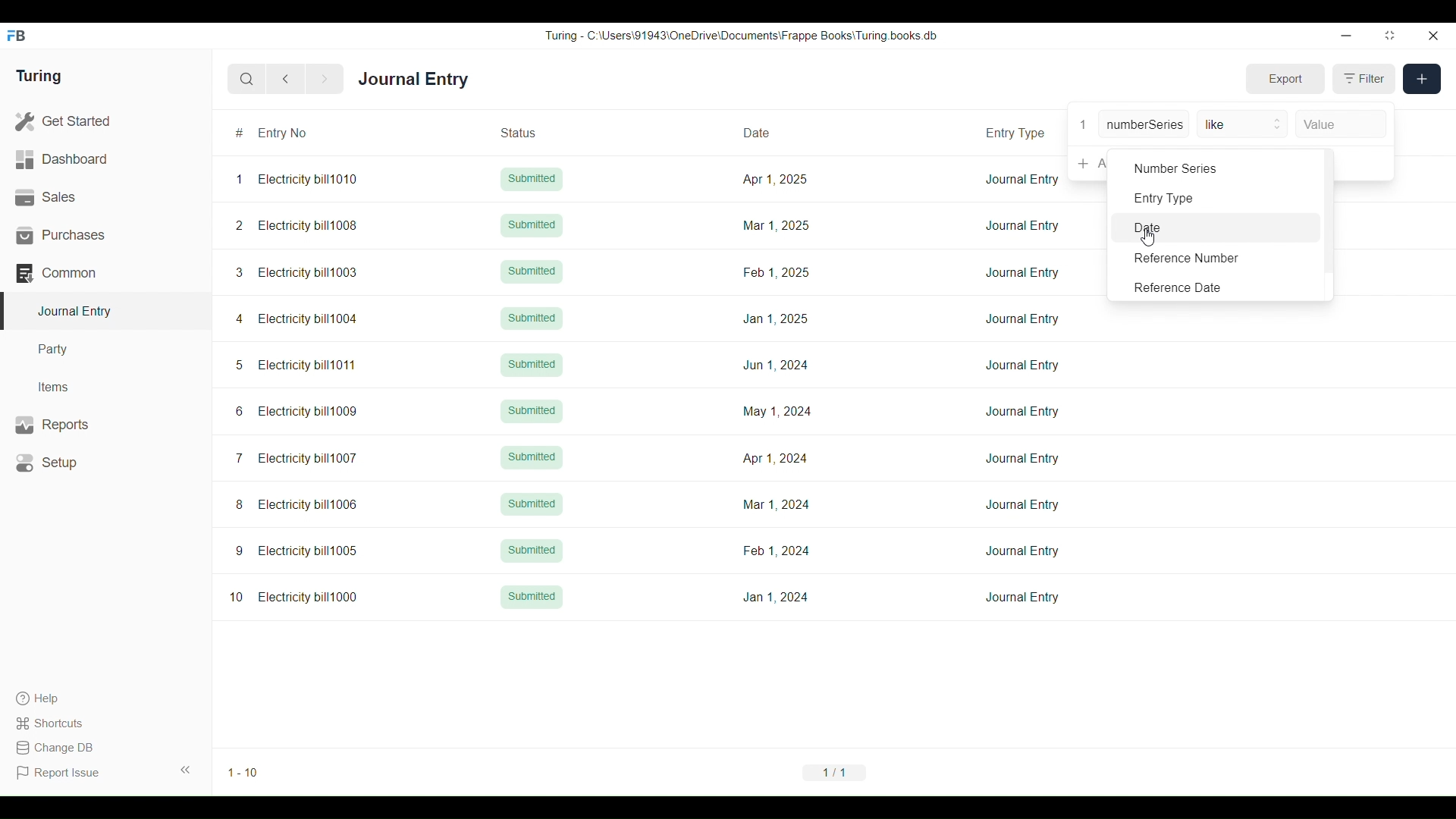 Image resolution: width=1456 pixels, height=819 pixels. What do you see at coordinates (186, 770) in the screenshot?
I see `Collapse sidebar` at bounding box center [186, 770].